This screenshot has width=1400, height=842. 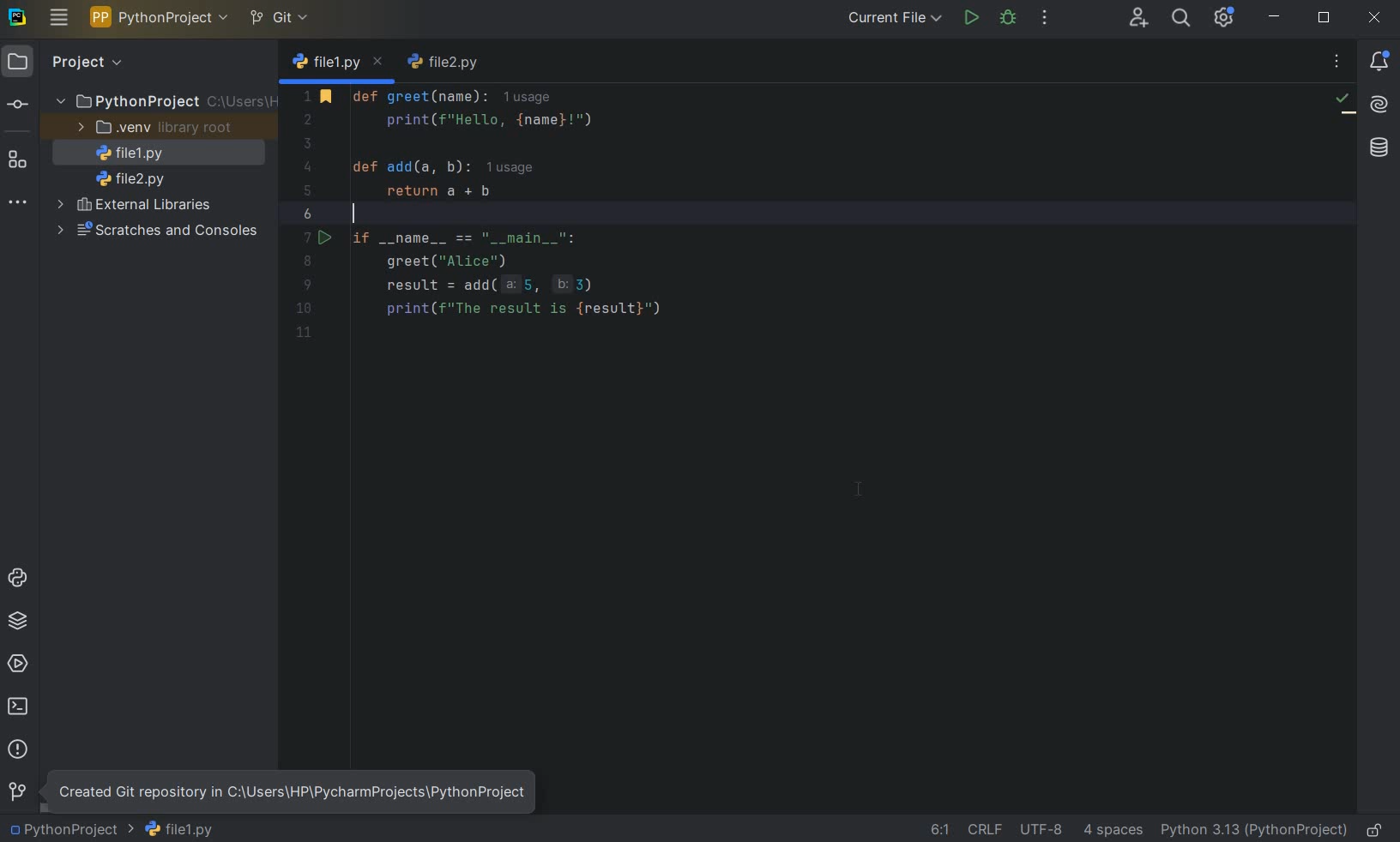 What do you see at coordinates (939, 830) in the screenshot?
I see `go to line` at bounding box center [939, 830].